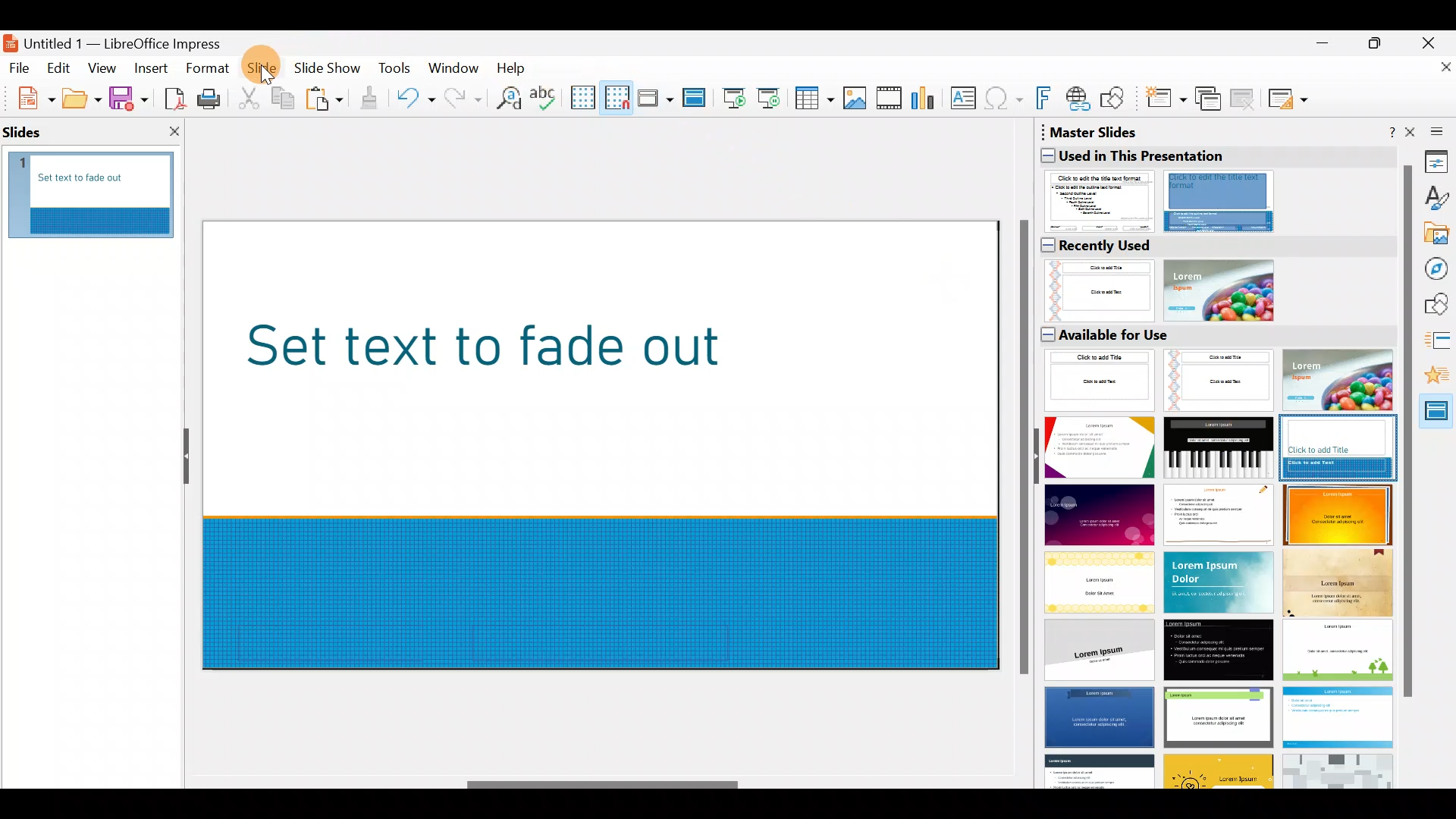 The width and height of the screenshot is (1456, 819). Describe the element at coordinates (1439, 269) in the screenshot. I see `Navigator` at that location.